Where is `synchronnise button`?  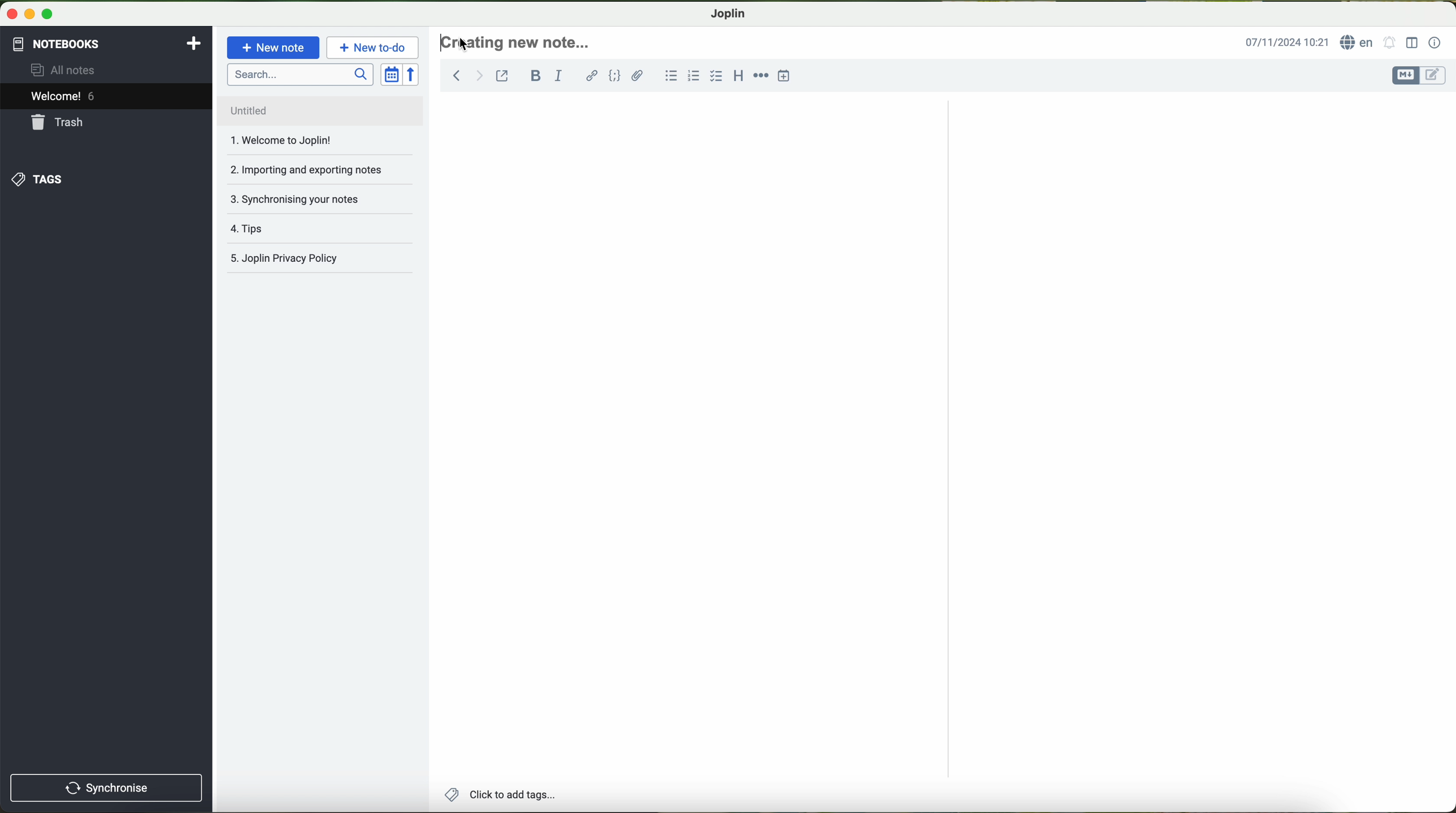 synchronnise button is located at coordinates (105, 789).